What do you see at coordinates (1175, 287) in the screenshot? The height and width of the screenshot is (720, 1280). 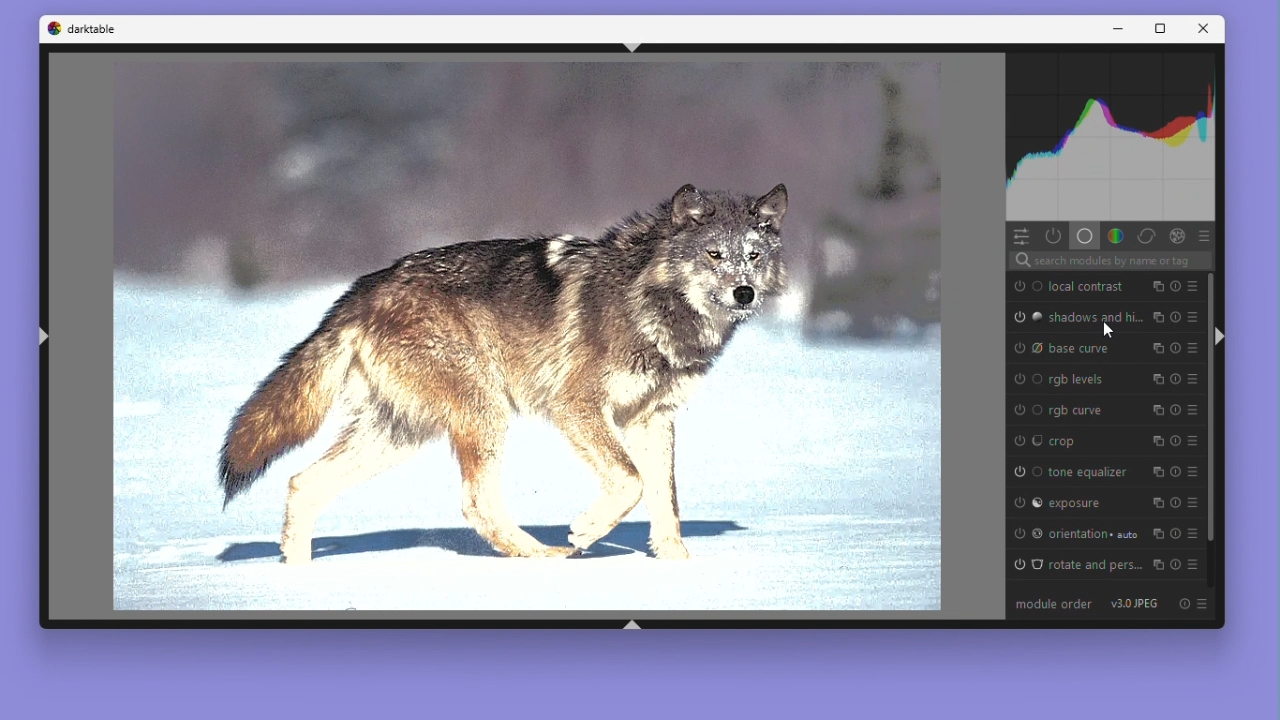 I see `reset parameters` at bounding box center [1175, 287].